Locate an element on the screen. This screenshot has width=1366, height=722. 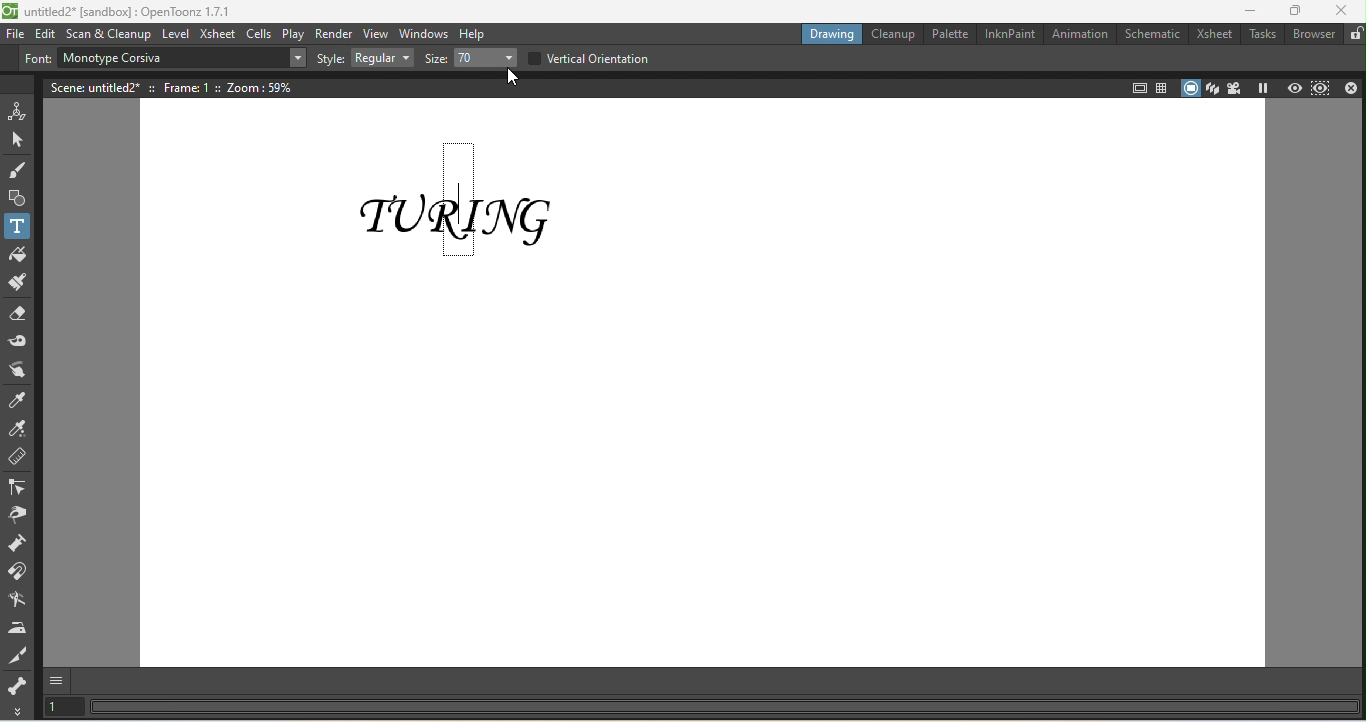
Maximize is located at coordinates (1296, 11).